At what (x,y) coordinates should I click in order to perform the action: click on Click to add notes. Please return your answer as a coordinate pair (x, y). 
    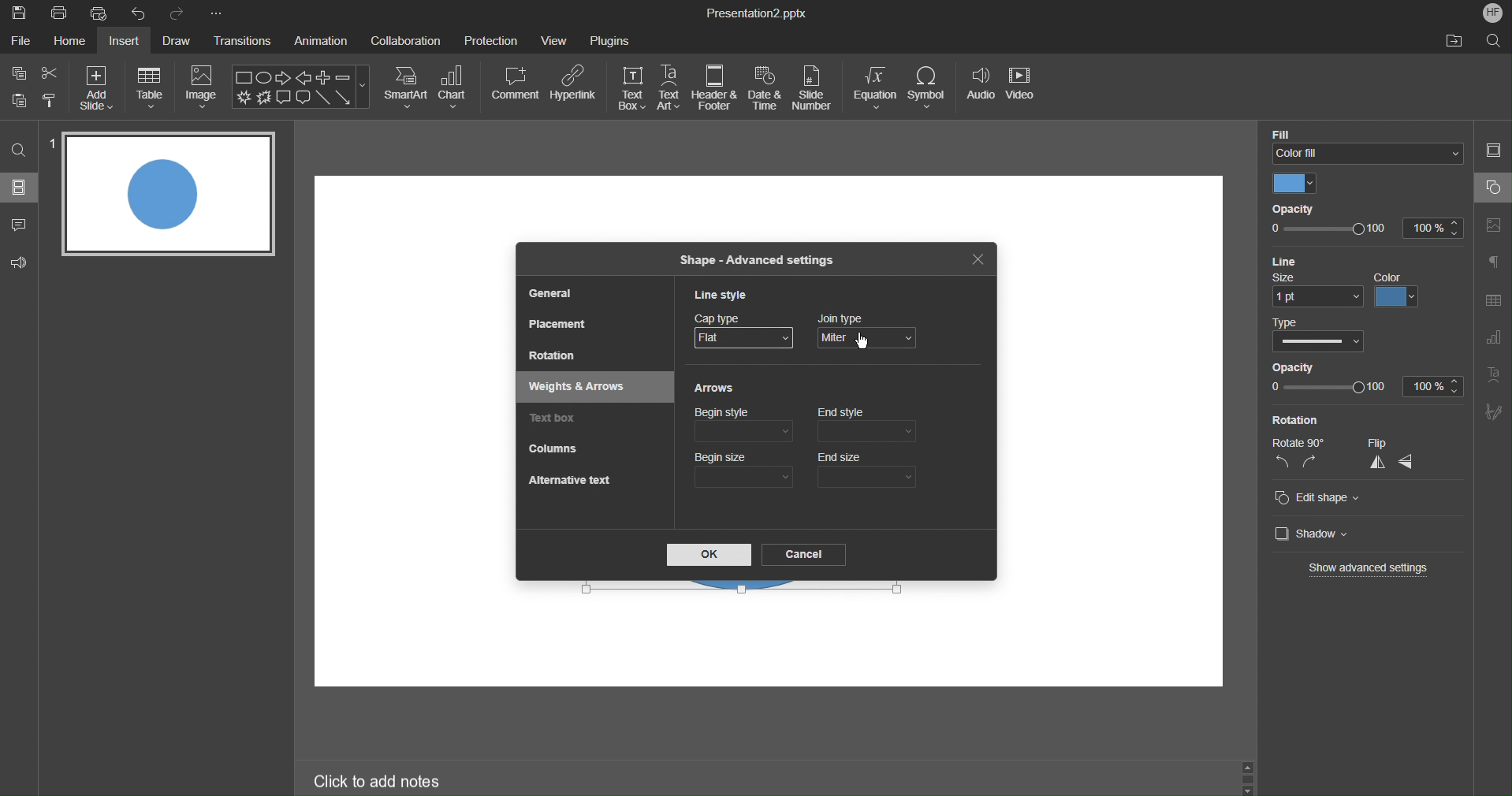
    Looking at the image, I should click on (379, 780).